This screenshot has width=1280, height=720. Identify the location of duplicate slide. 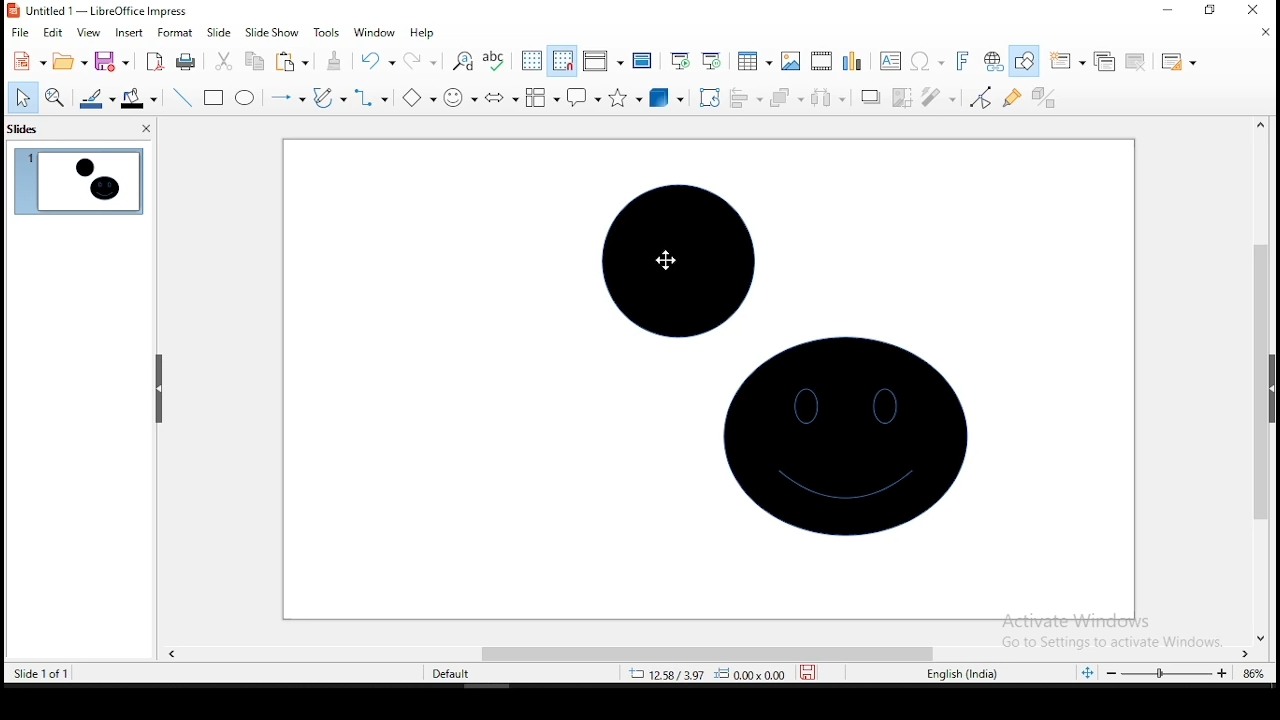
(1103, 61).